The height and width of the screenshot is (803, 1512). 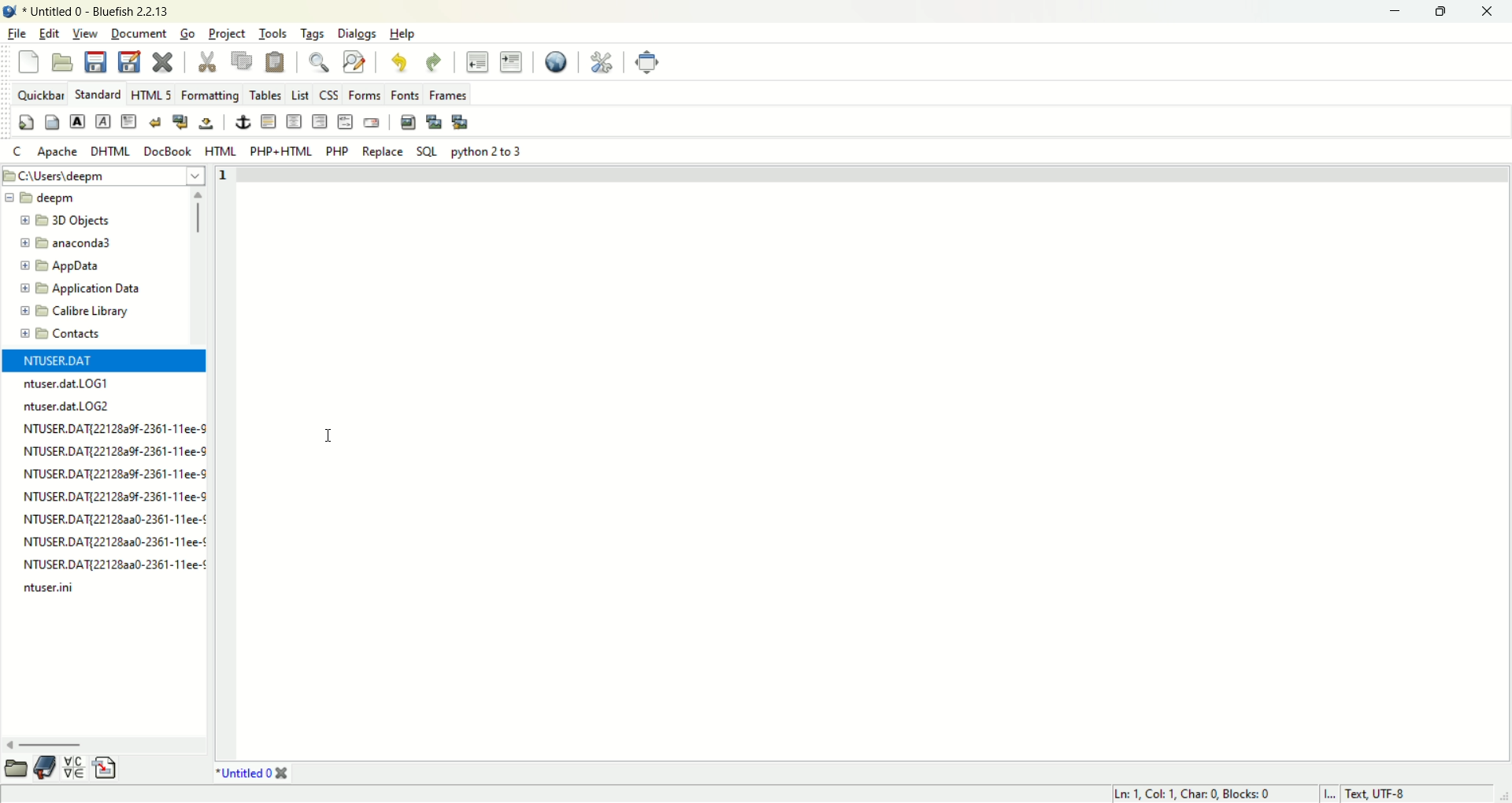 I want to click on css, so click(x=329, y=95).